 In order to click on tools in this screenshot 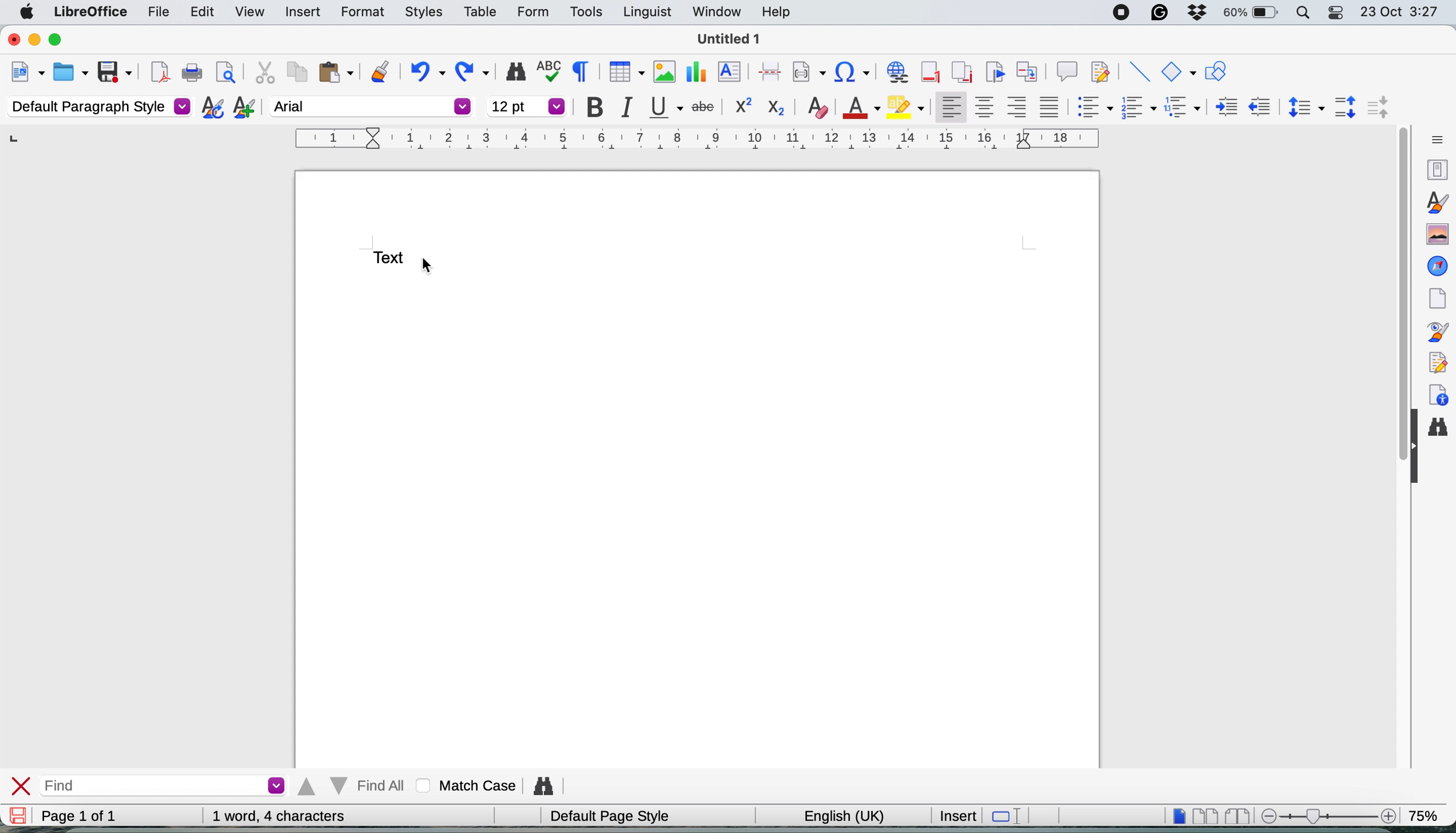, I will do `click(586, 13)`.